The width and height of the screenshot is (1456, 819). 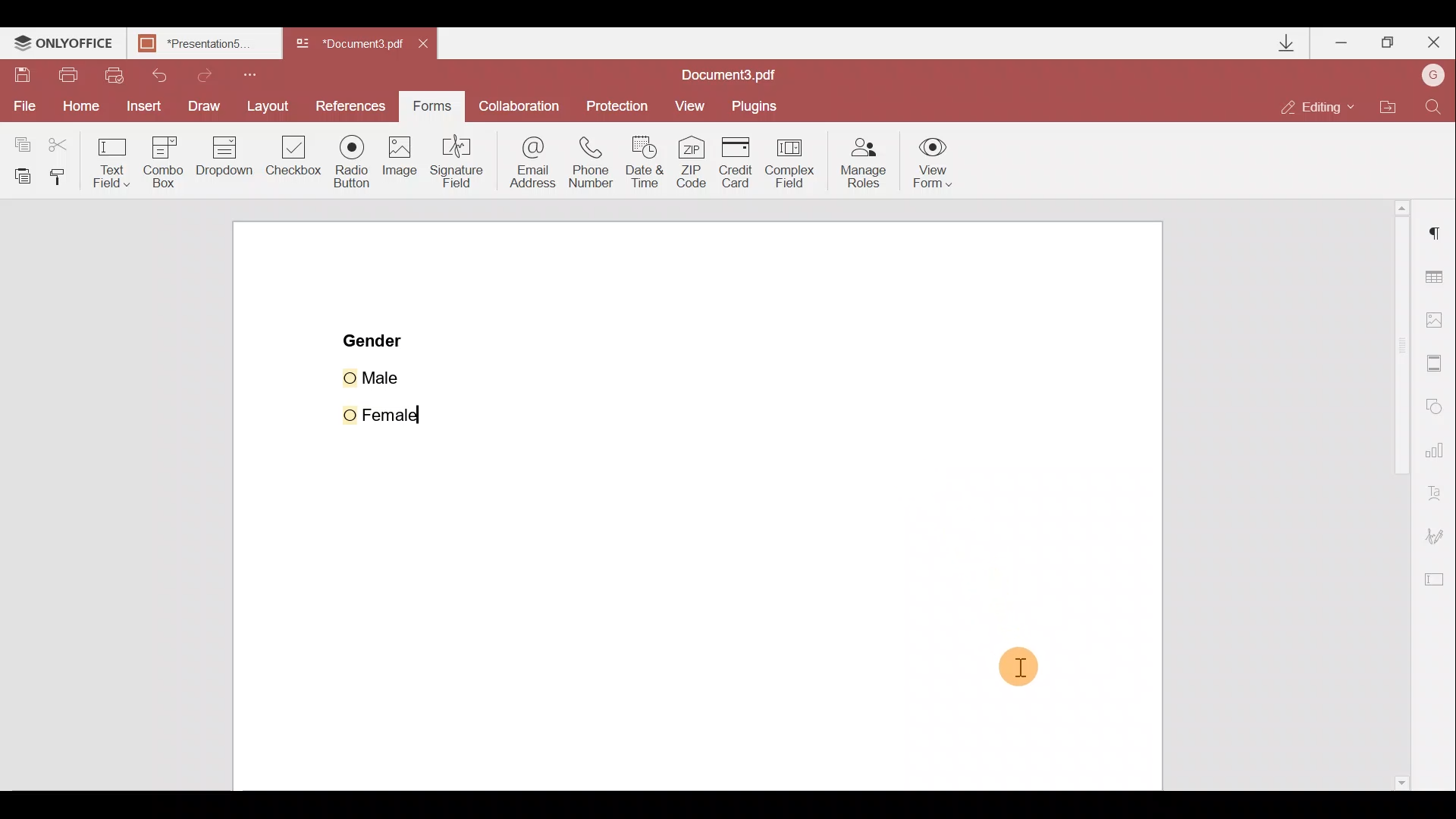 I want to click on Table settings, so click(x=1437, y=274).